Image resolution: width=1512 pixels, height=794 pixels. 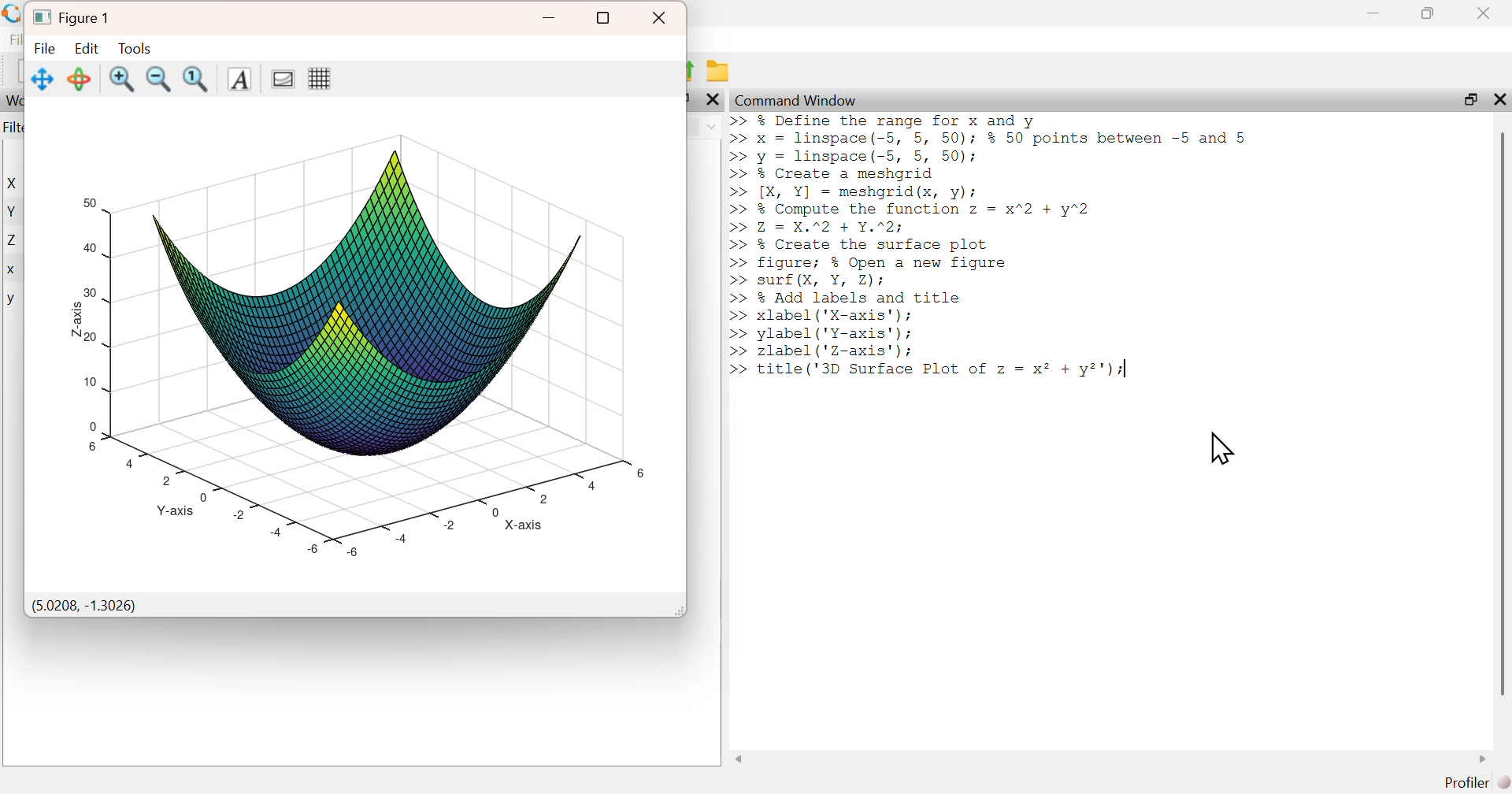 What do you see at coordinates (74, 16) in the screenshot?
I see `Figure 1` at bounding box center [74, 16].